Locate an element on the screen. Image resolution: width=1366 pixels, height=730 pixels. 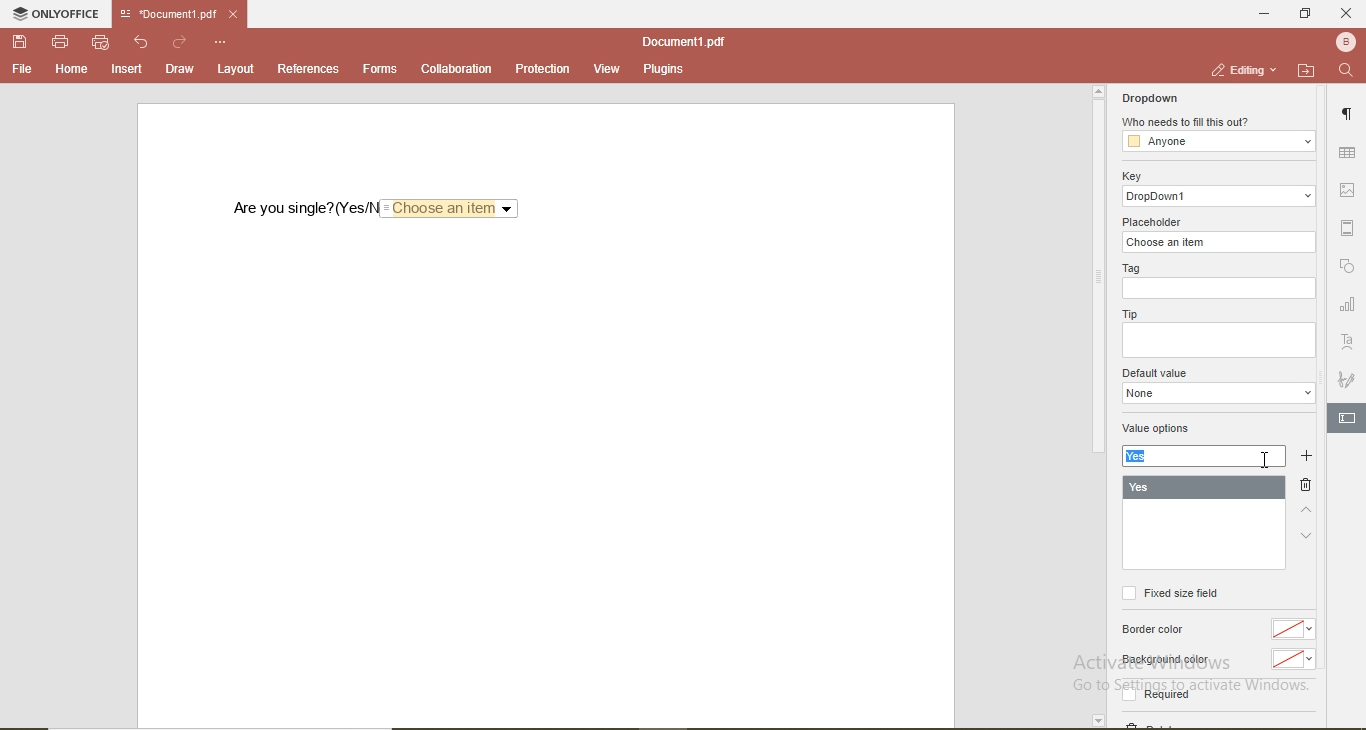
paragraph is located at coordinates (1350, 109).